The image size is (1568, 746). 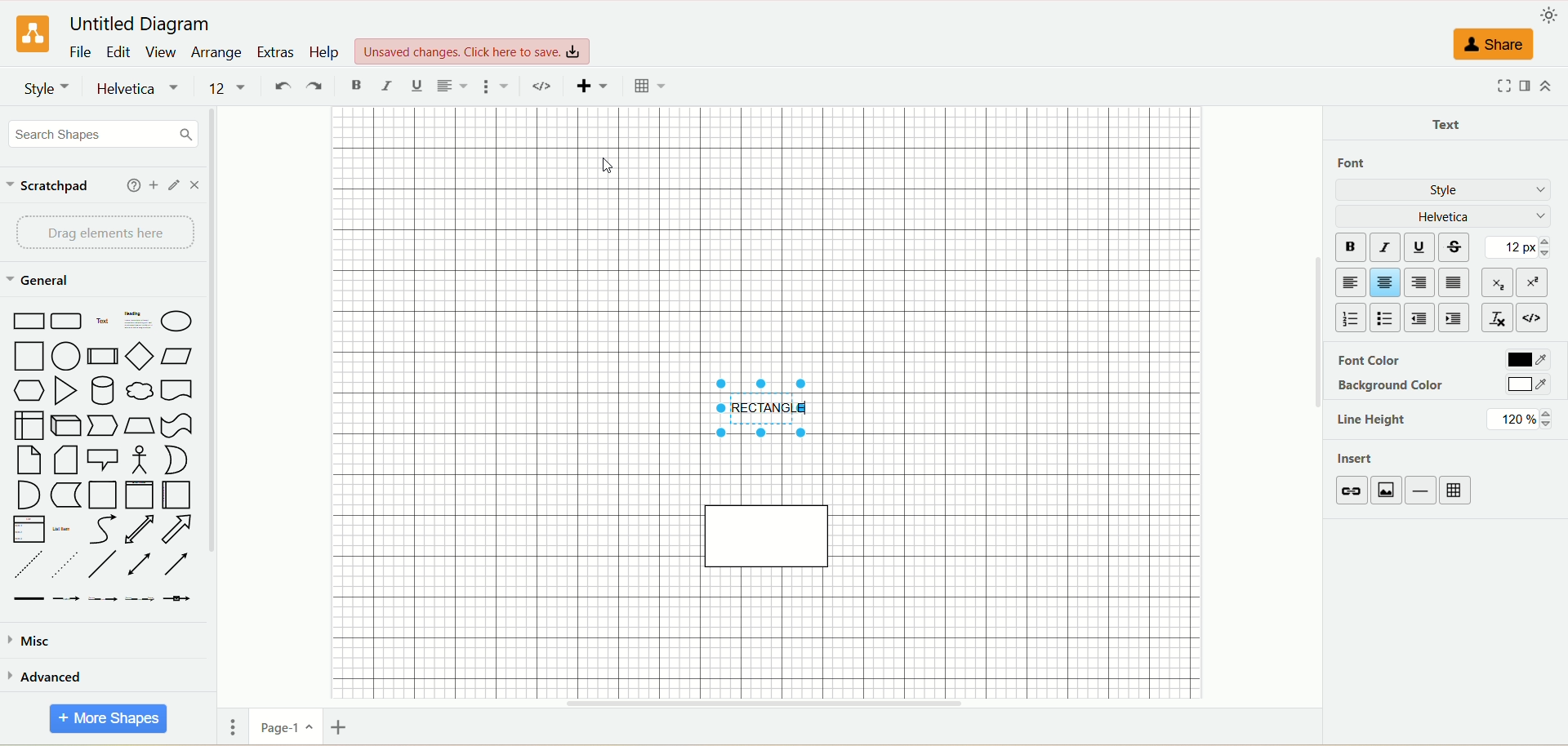 What do you see at coordinates (65, 528) in the screenshot?
I see `list items` at bounding box center [65, 528].